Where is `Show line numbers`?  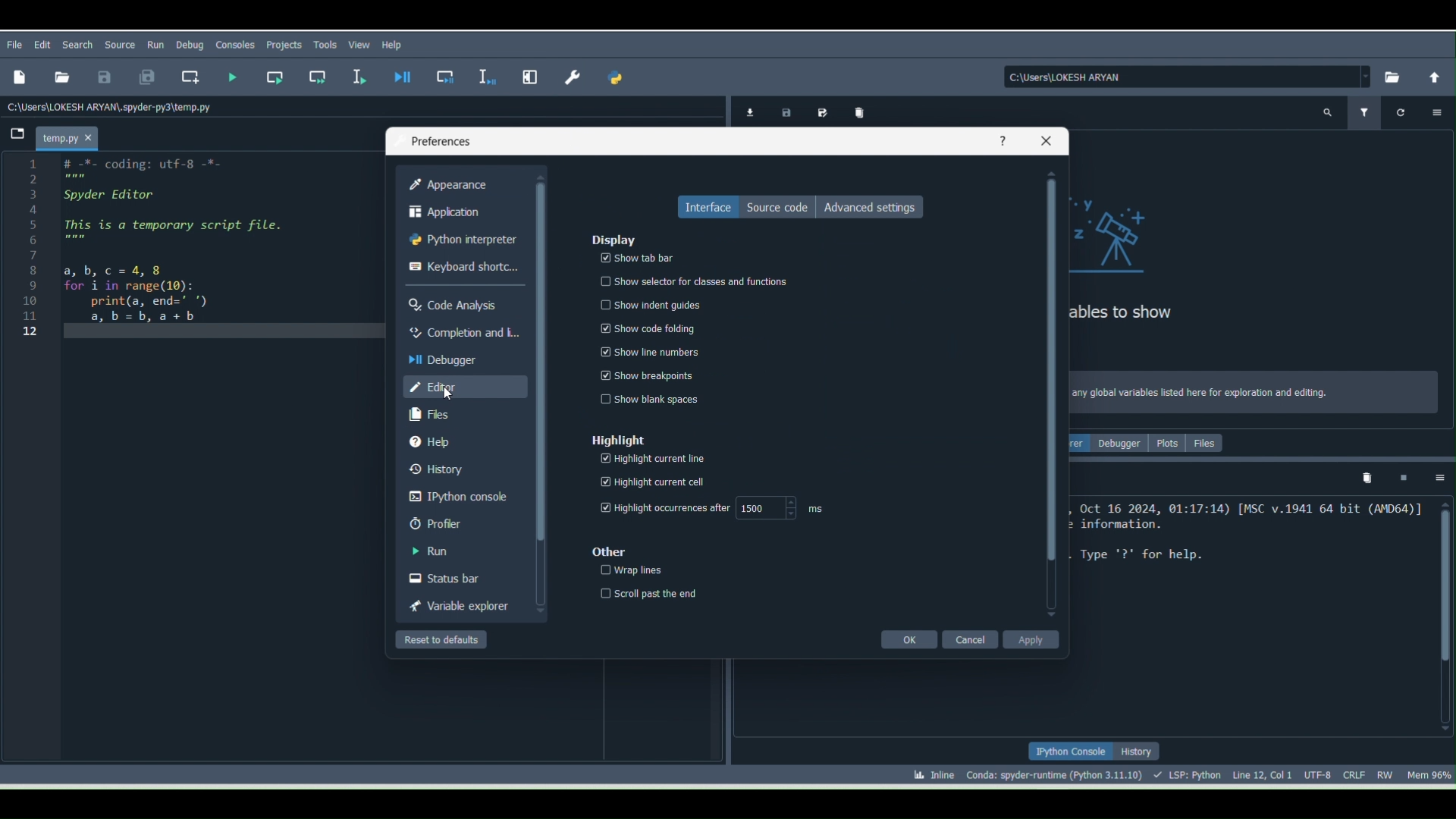
Show line numbers is located at coordinates (647, 350).